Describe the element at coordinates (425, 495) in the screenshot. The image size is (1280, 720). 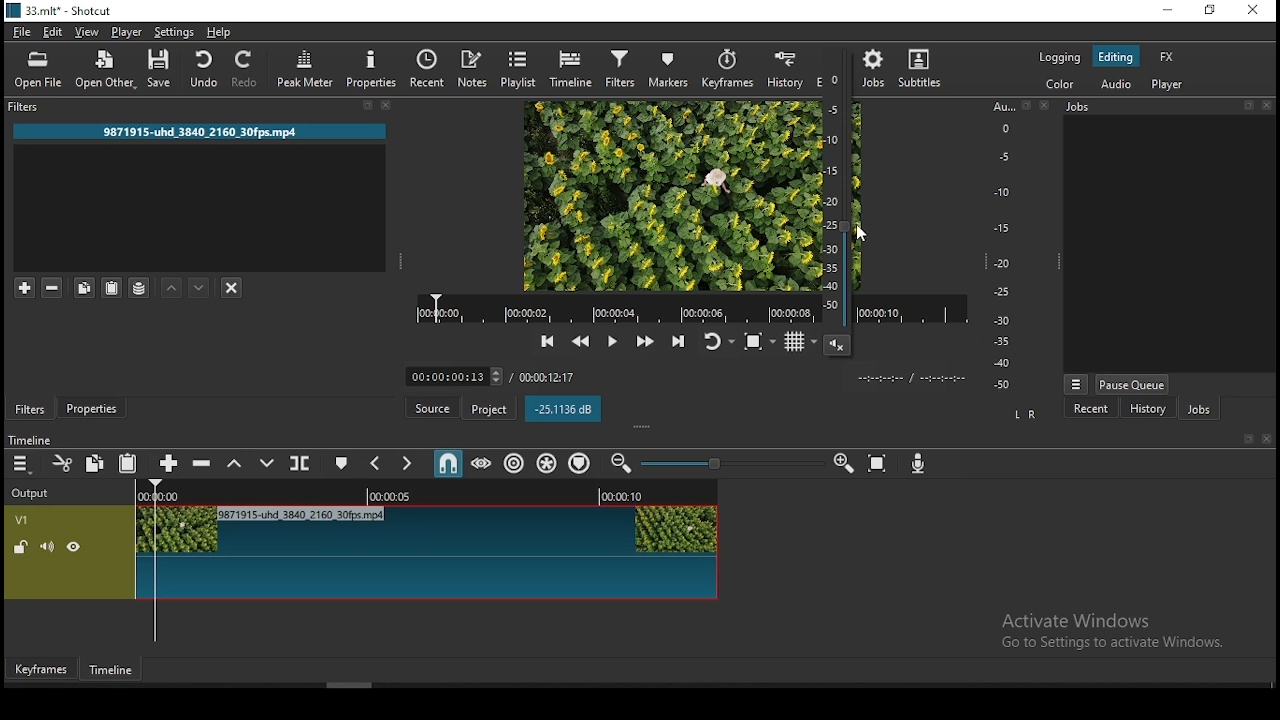
I see `Timeline Track` at that location.